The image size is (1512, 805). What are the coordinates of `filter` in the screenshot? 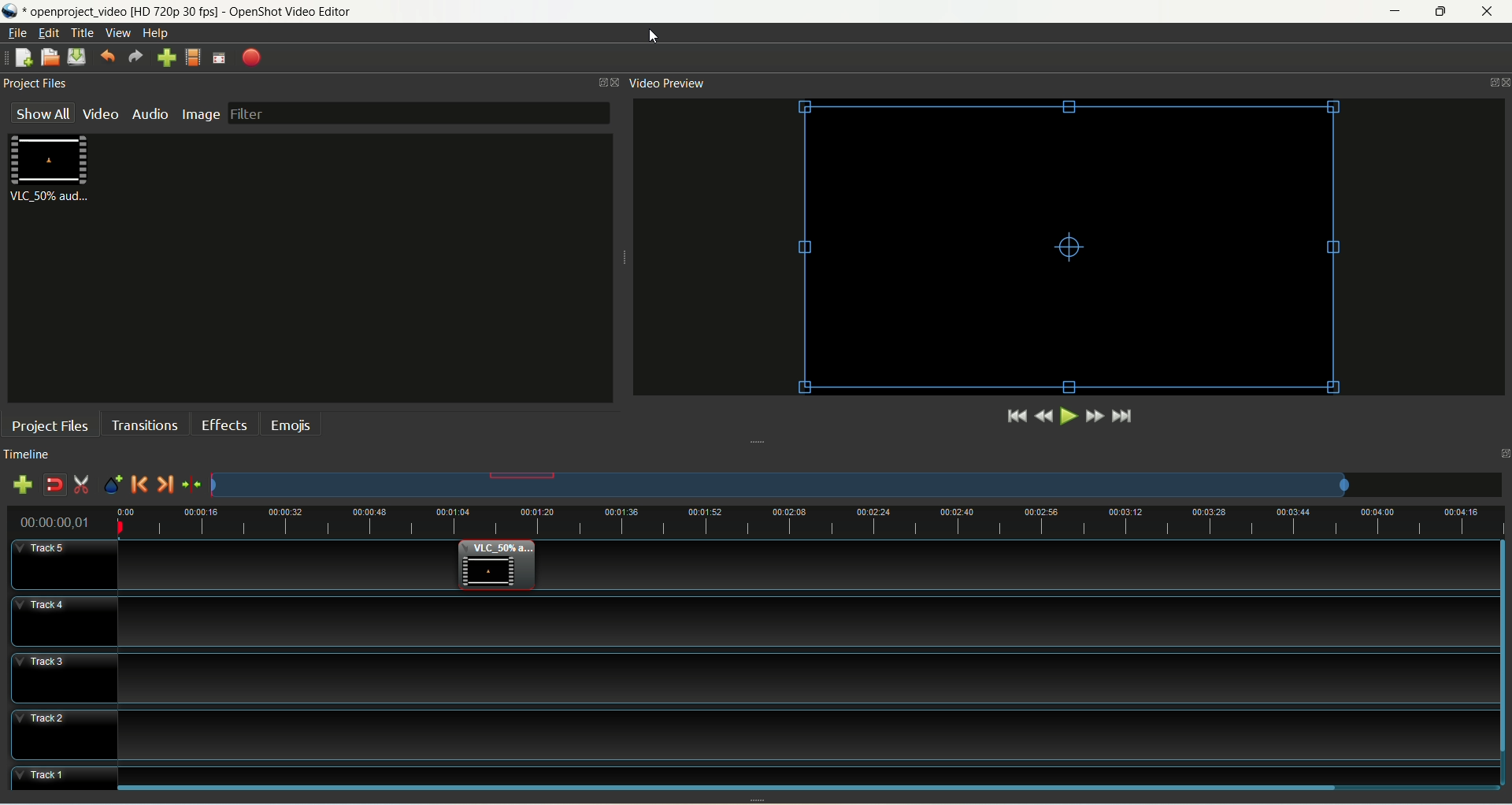 It's located at (419, 114).